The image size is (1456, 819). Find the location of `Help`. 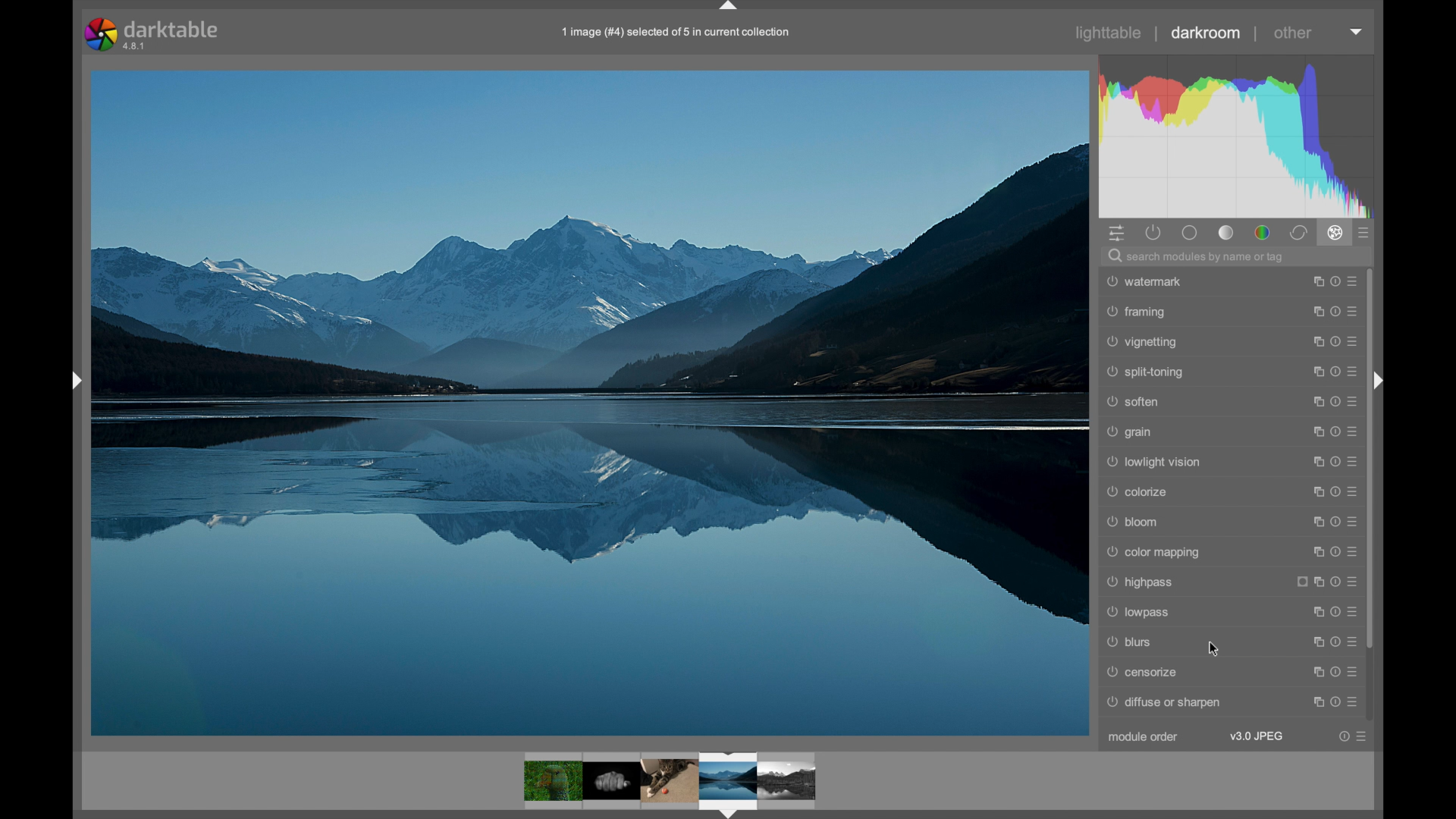

Help is located at coordinates (1343, 736).